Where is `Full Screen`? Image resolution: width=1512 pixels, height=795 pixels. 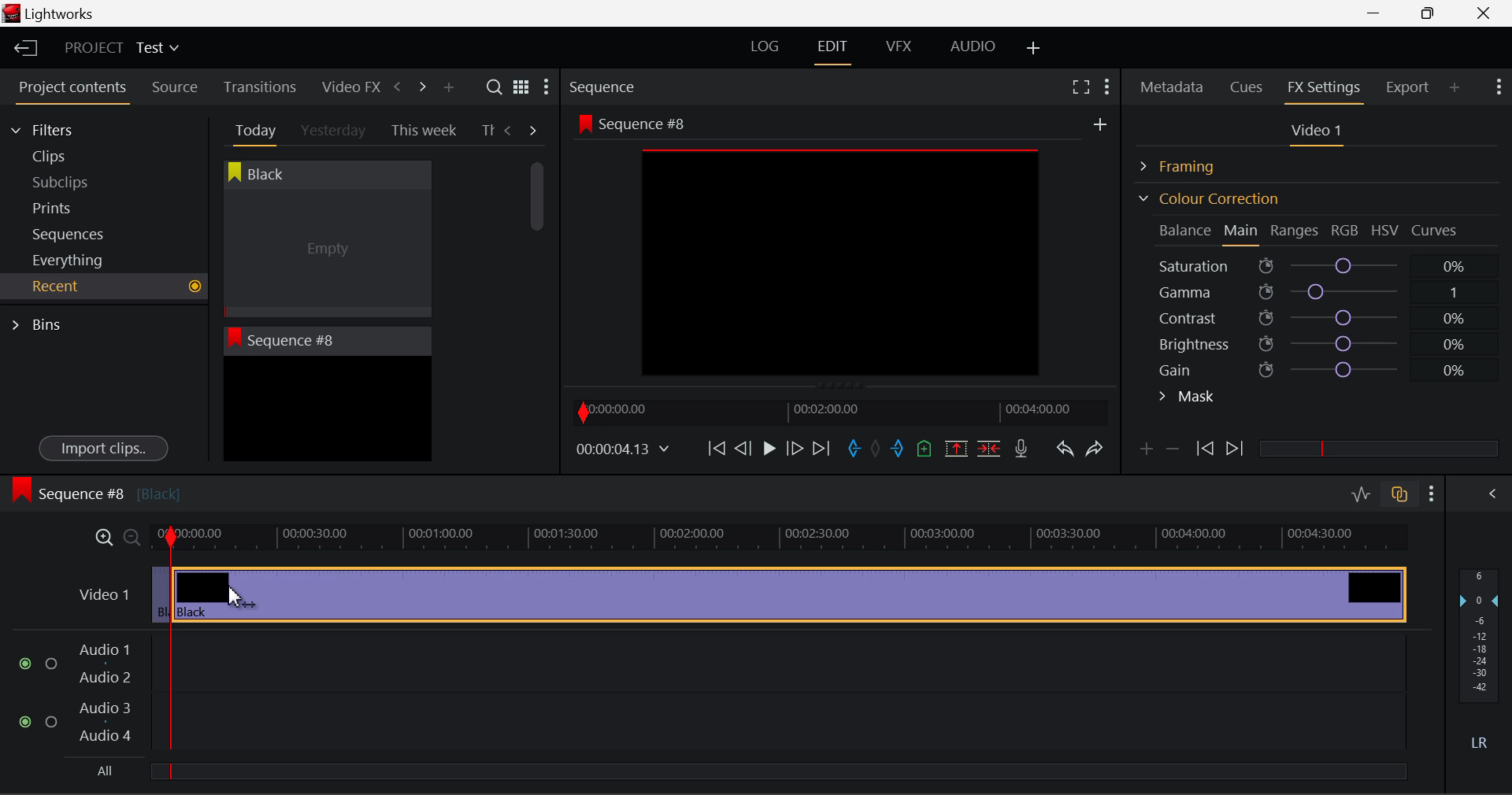
Full Screen is located at coordinates (1080, 86).